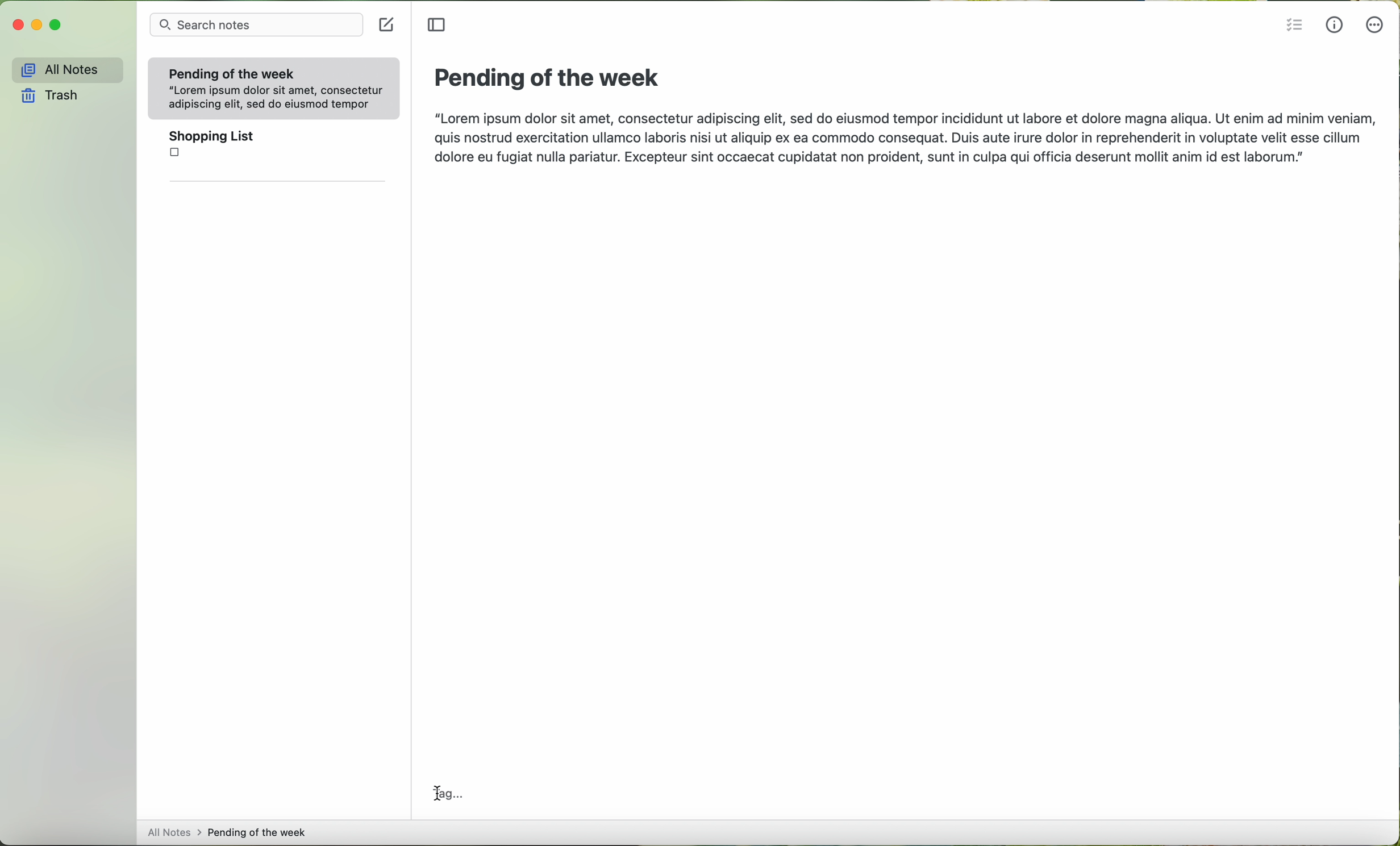 The image size is (1400, 846). What do you see at coordinates (16, 25) in the screenshot?
I see `close program` at bounding box center [16, 25].